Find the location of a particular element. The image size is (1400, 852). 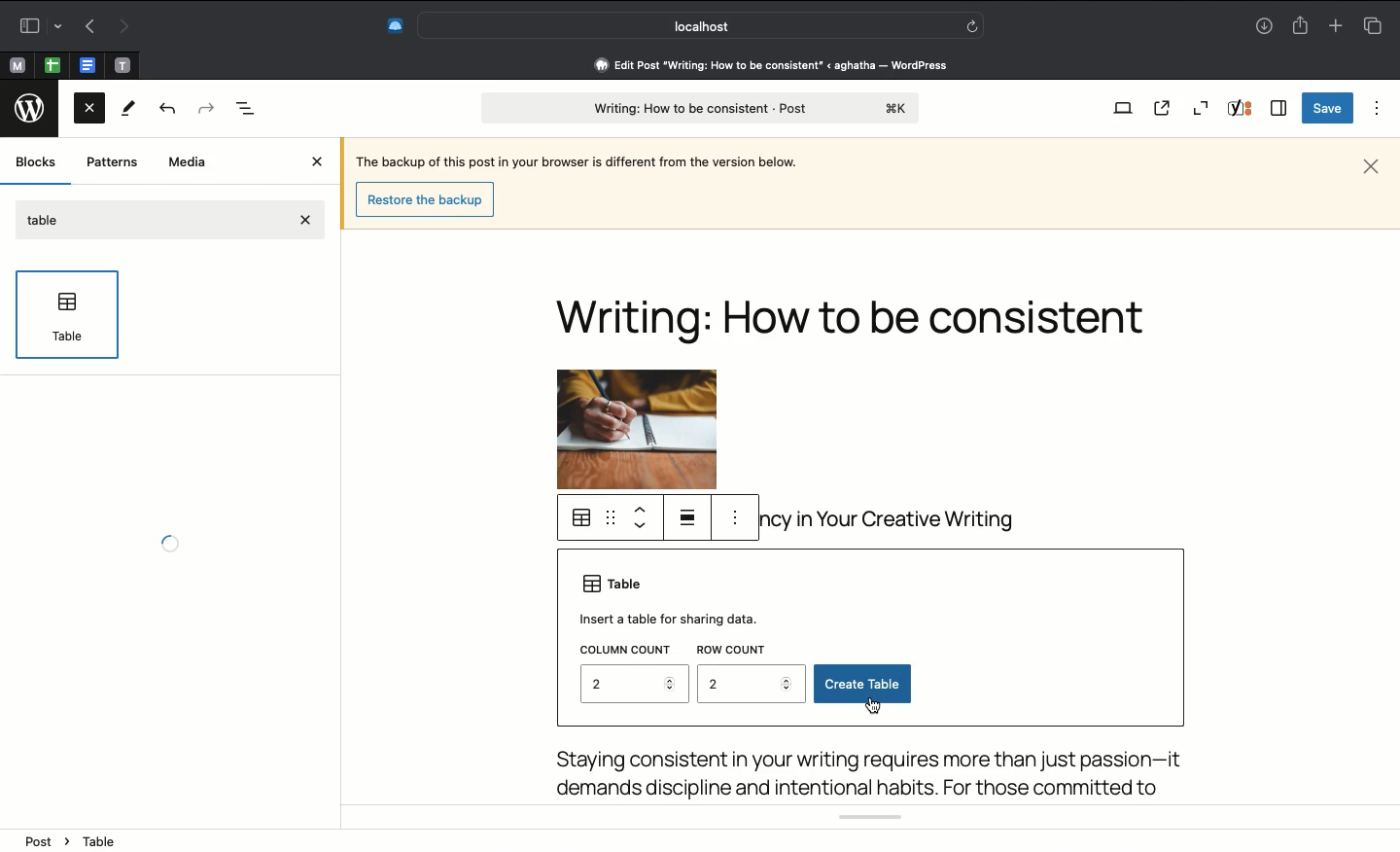

Patterns is located at coordinates (112, 162).